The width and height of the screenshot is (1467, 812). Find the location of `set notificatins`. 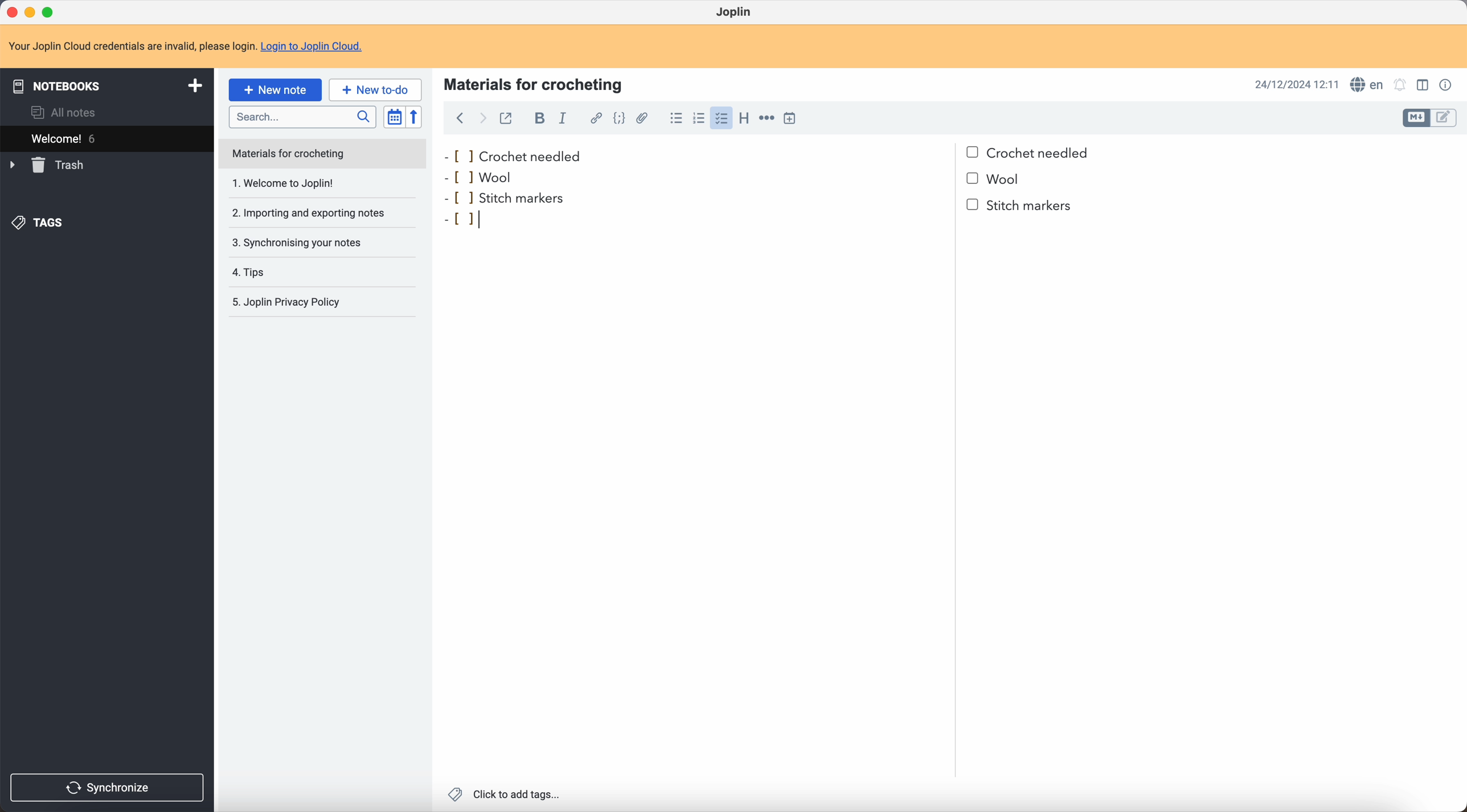

set notificatins is located at coordinates (1400, 86).